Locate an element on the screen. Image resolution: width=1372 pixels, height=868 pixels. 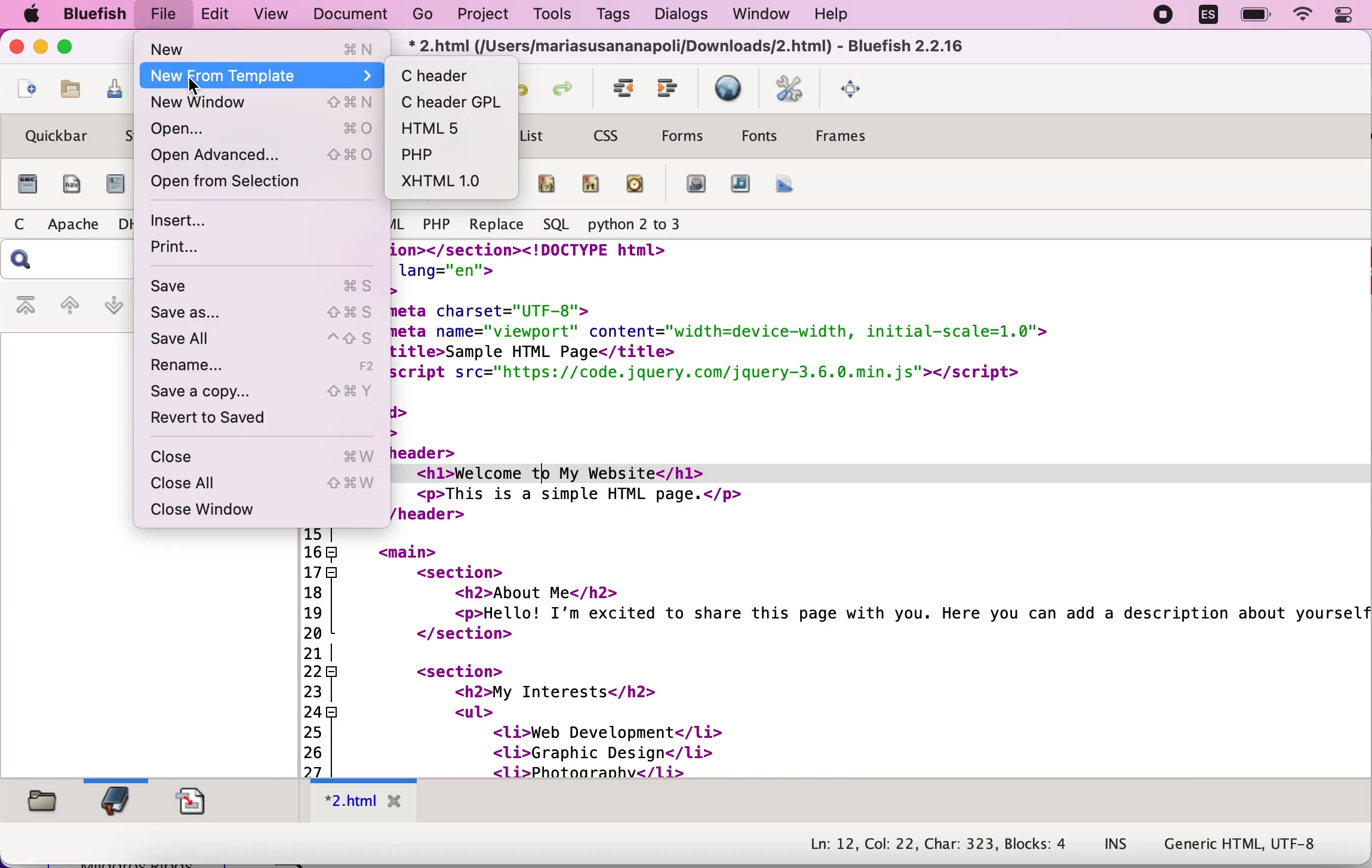
new is located at coordinates (264, 47).